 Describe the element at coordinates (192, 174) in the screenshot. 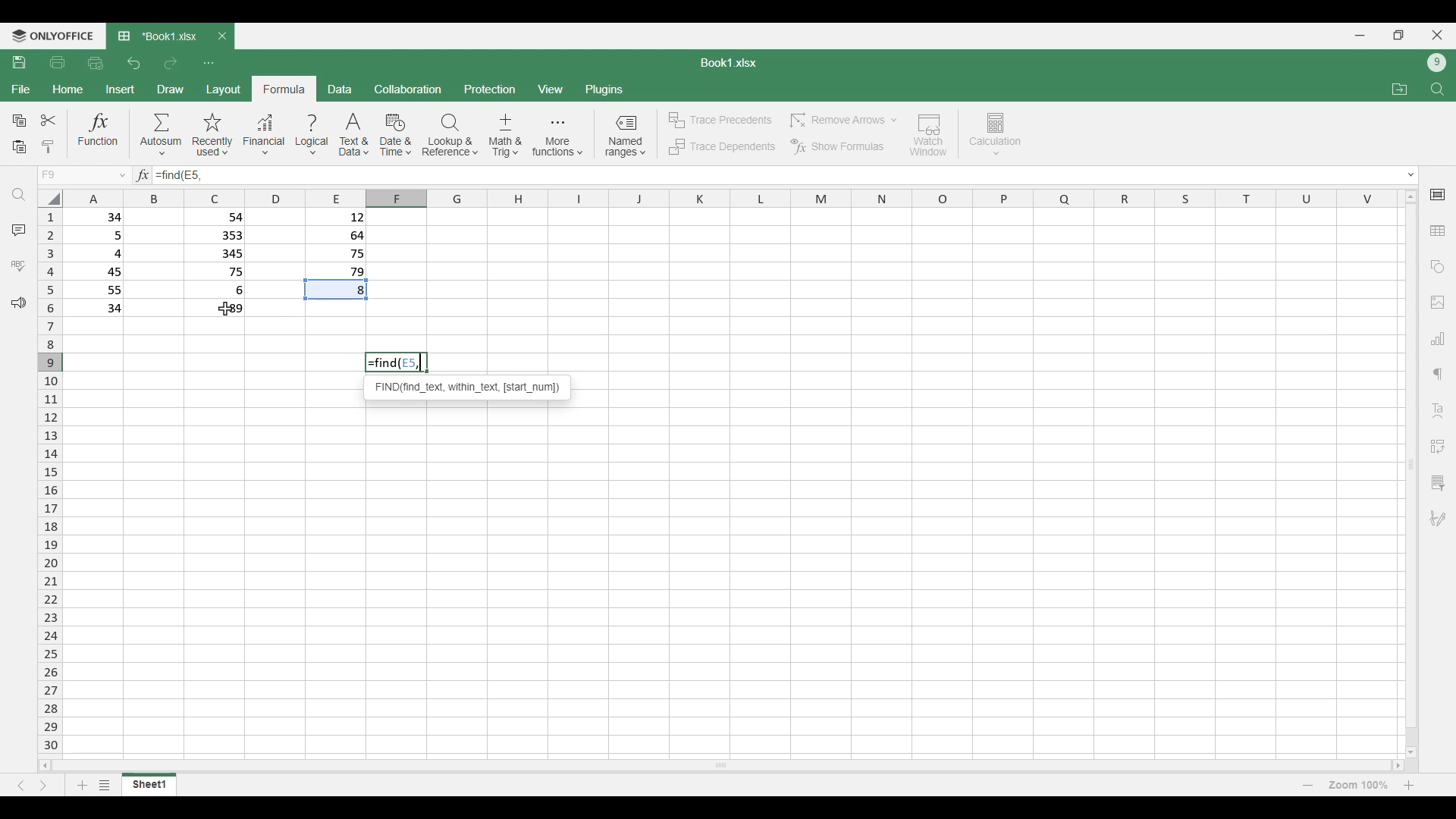

I see `Selected cell number added` at that location.